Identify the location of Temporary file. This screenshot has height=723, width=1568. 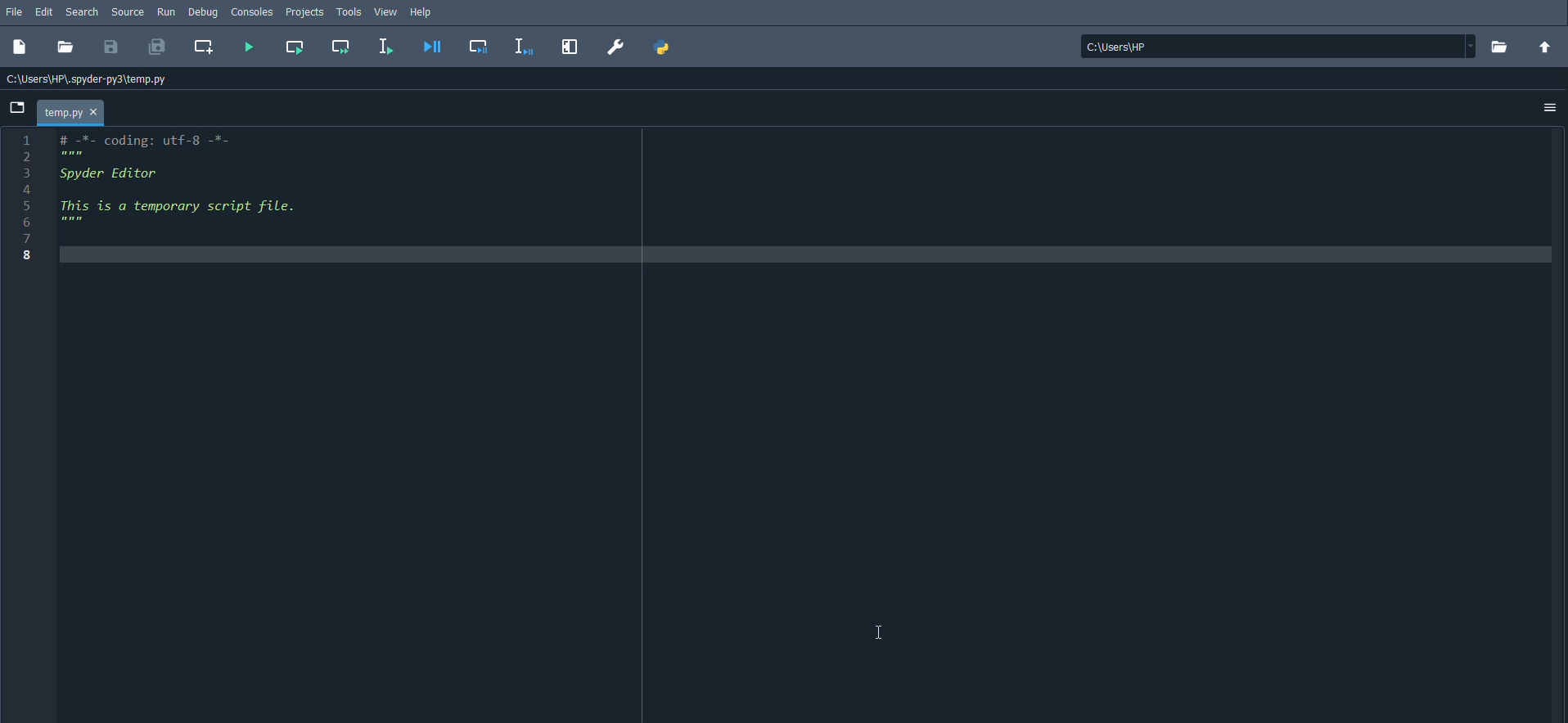
(73, 110).